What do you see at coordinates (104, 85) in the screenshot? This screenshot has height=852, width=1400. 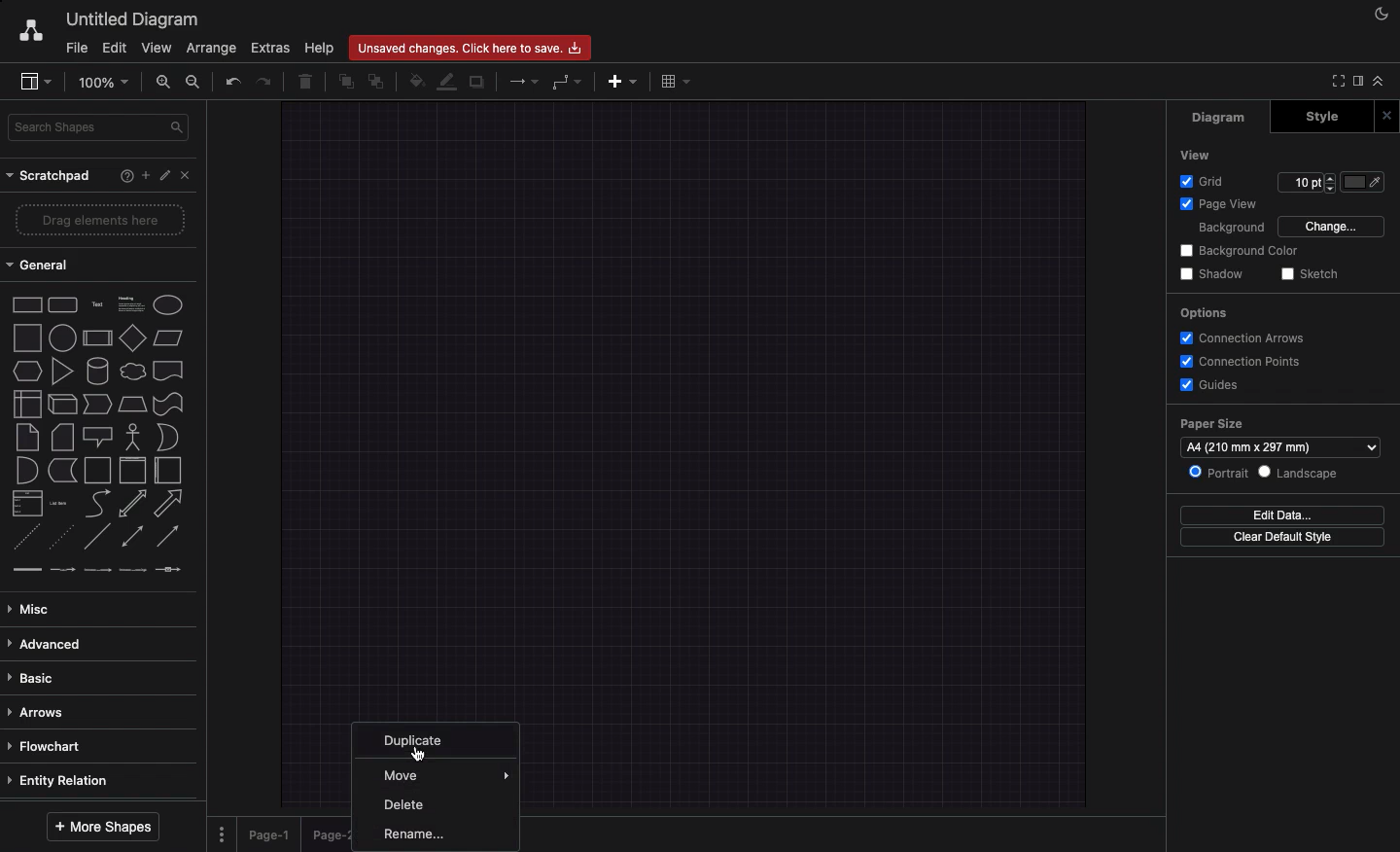 I see `100%` at bounding box center [104, 85].